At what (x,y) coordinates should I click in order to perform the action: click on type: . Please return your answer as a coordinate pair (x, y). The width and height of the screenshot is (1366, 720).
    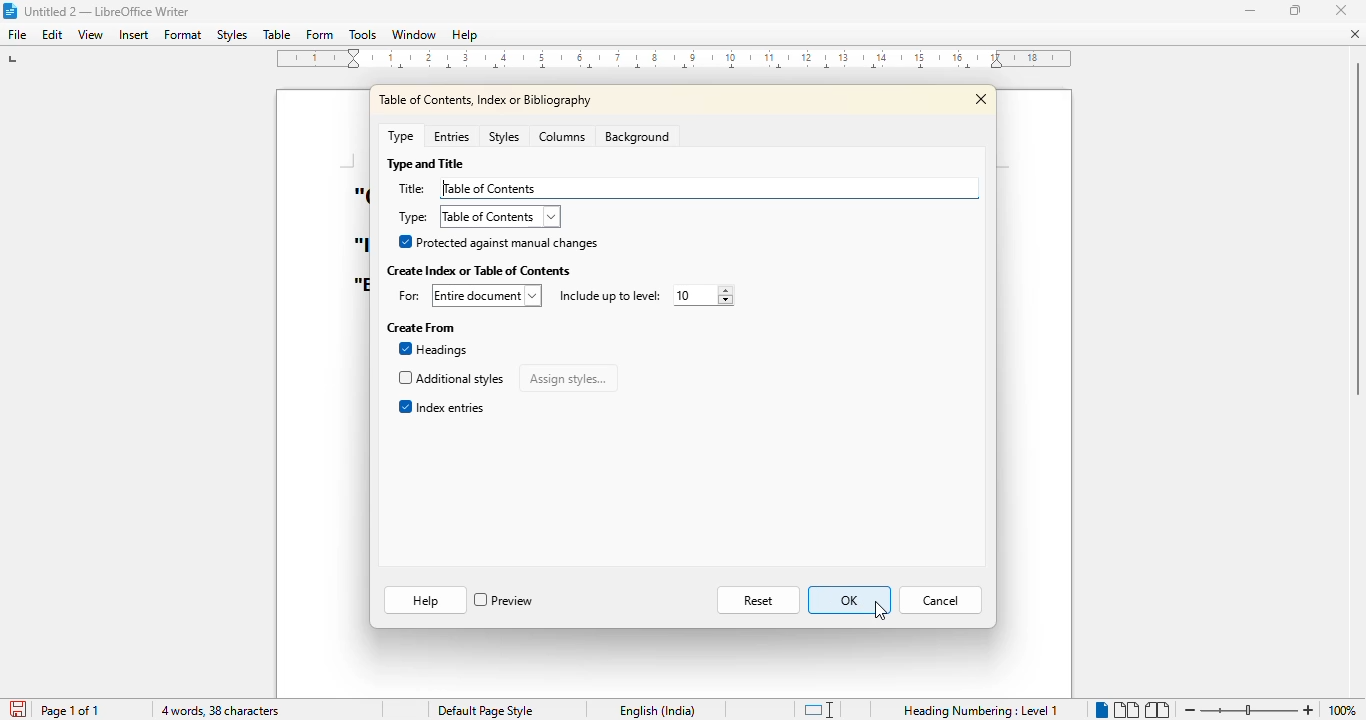
    Looking at the image, I should click on (414, 217).